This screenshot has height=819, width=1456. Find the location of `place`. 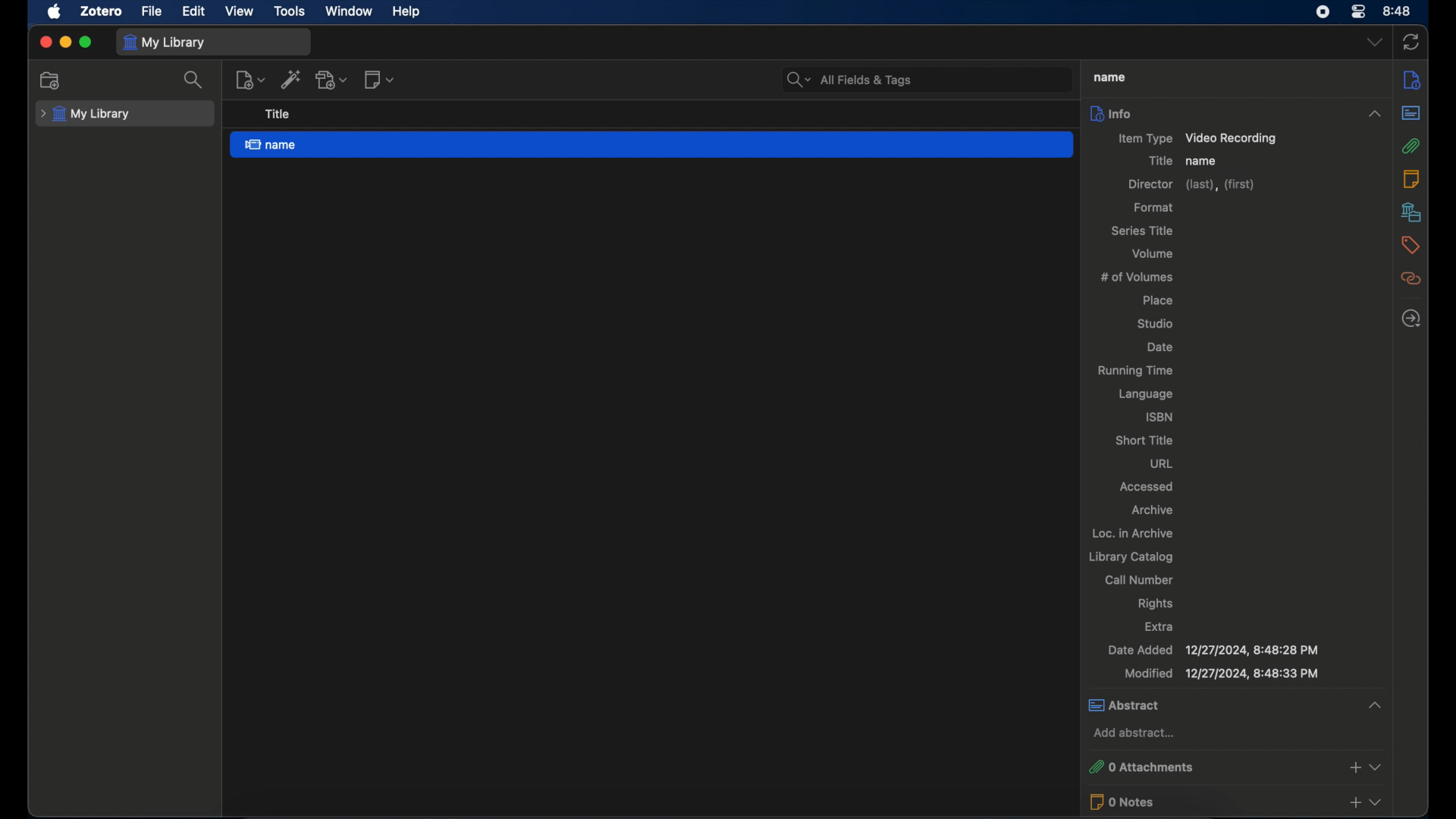

place is located at coordinates (1159, 300).